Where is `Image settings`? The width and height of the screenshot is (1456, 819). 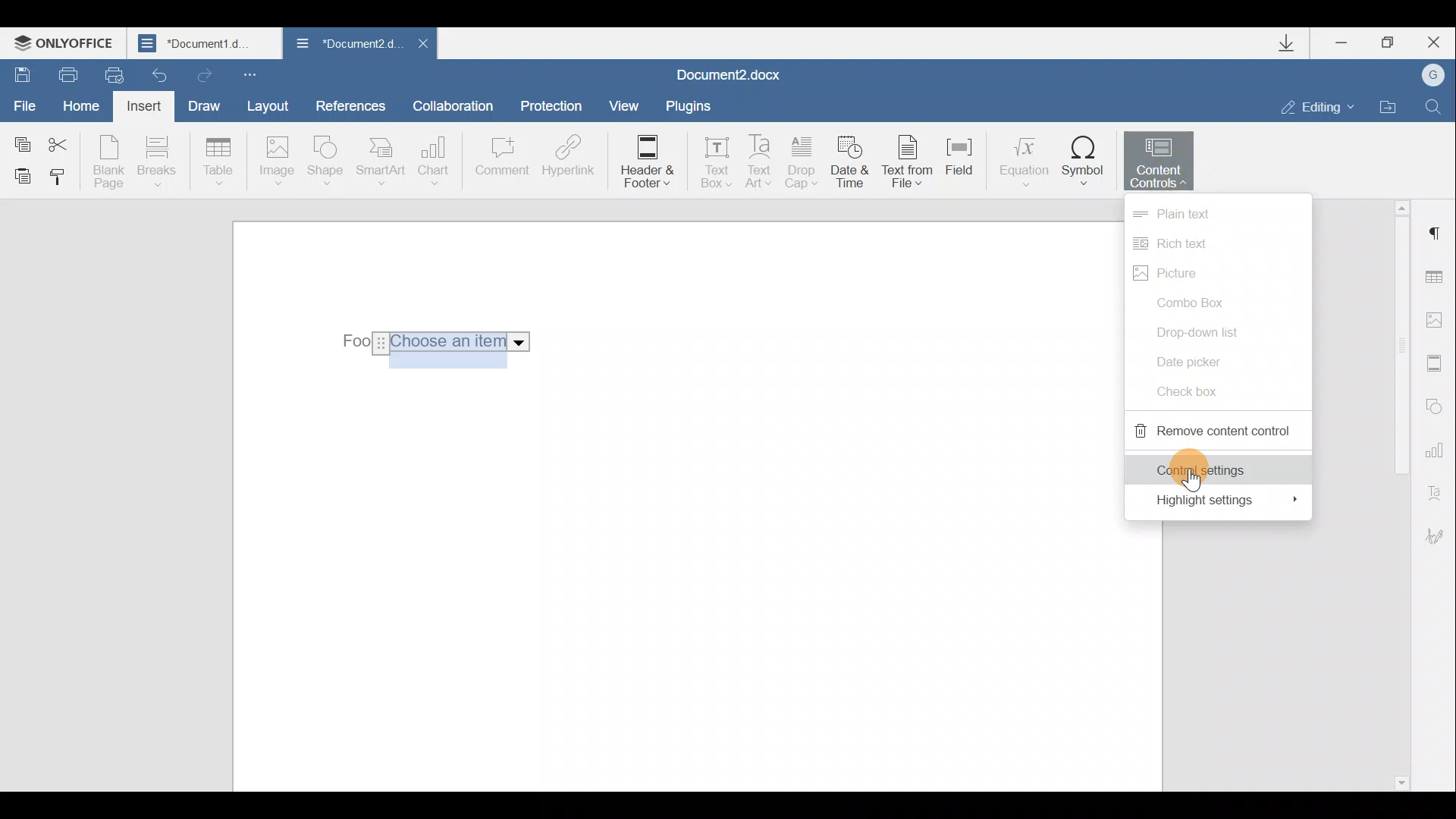 Image settings is located at coordinates (1438, 320).